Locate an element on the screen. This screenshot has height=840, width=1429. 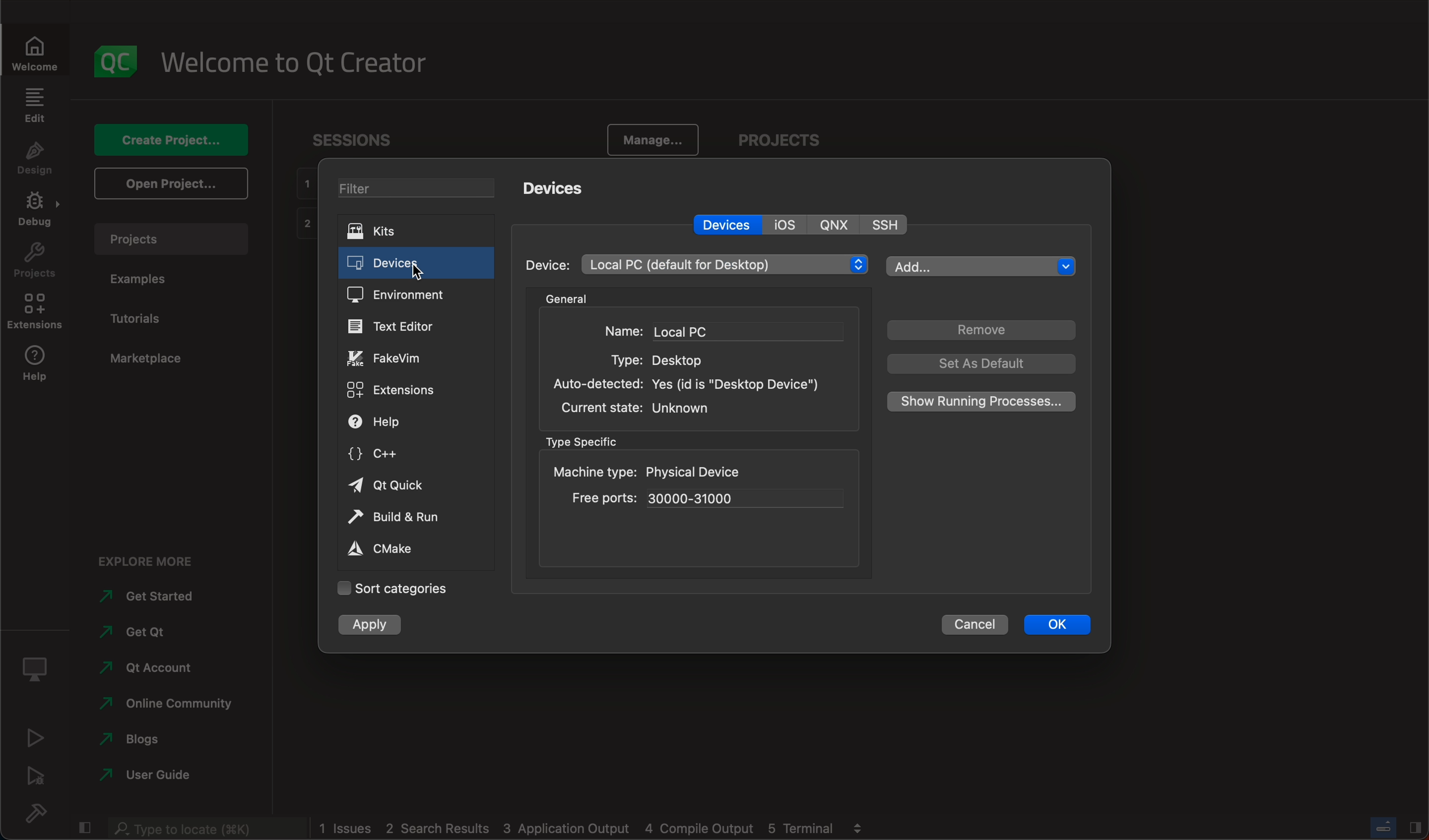
create project is located at coordinates (176, 139).